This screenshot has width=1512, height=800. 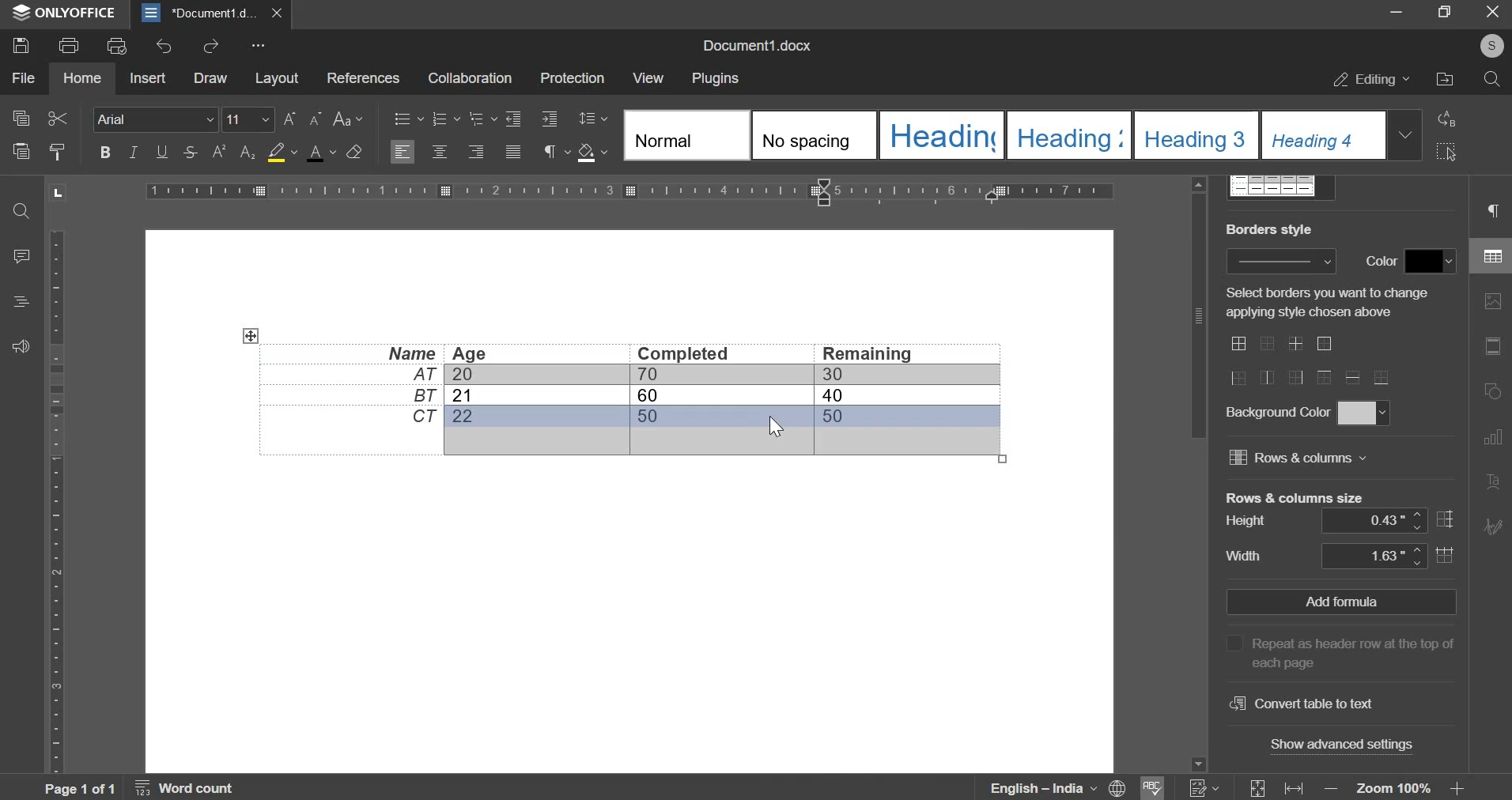 I want to click on file, so click(x=22, y=77).